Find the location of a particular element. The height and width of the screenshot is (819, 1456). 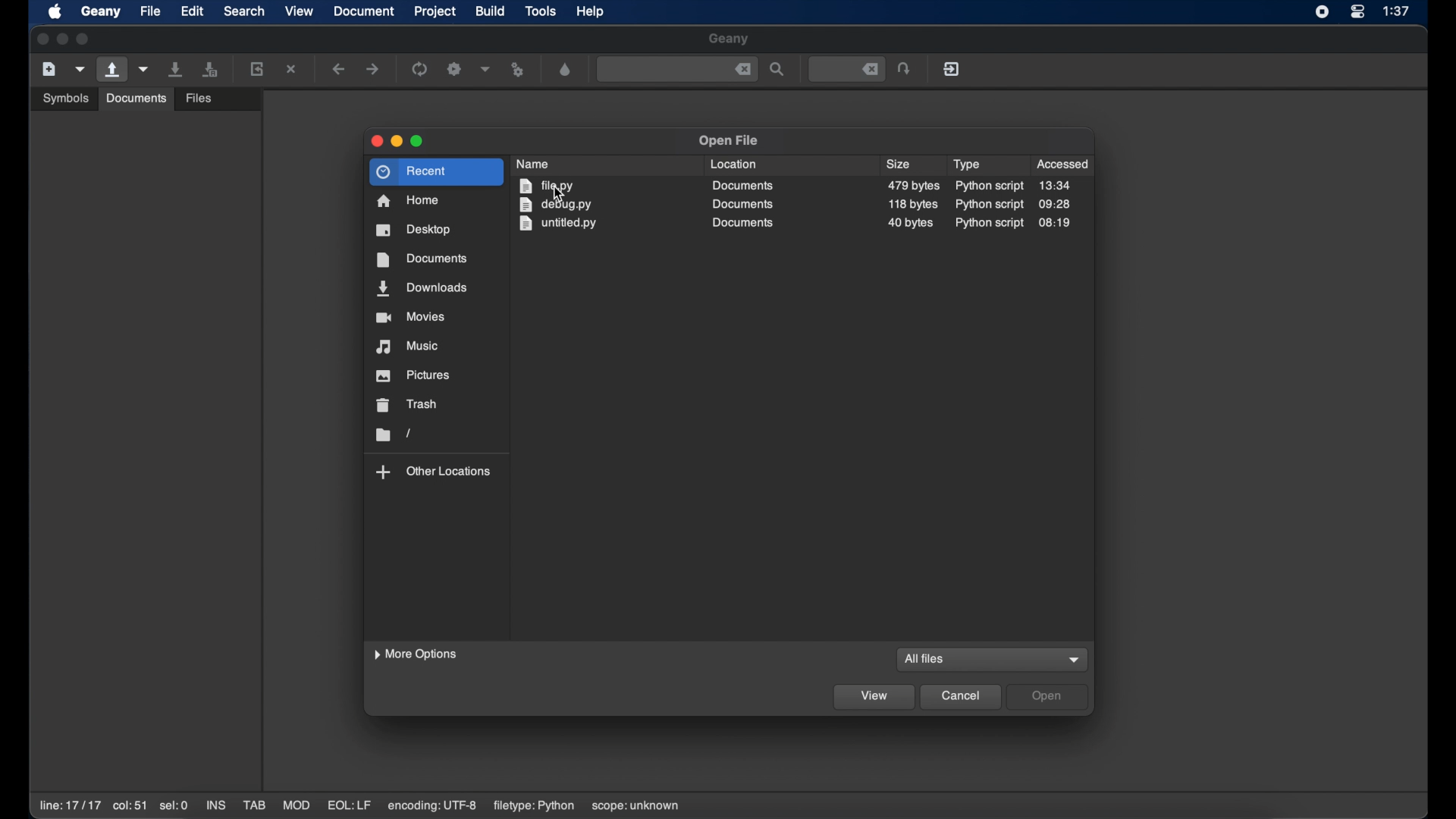

encoding: utf-8 is located at coordinates (432, 806).